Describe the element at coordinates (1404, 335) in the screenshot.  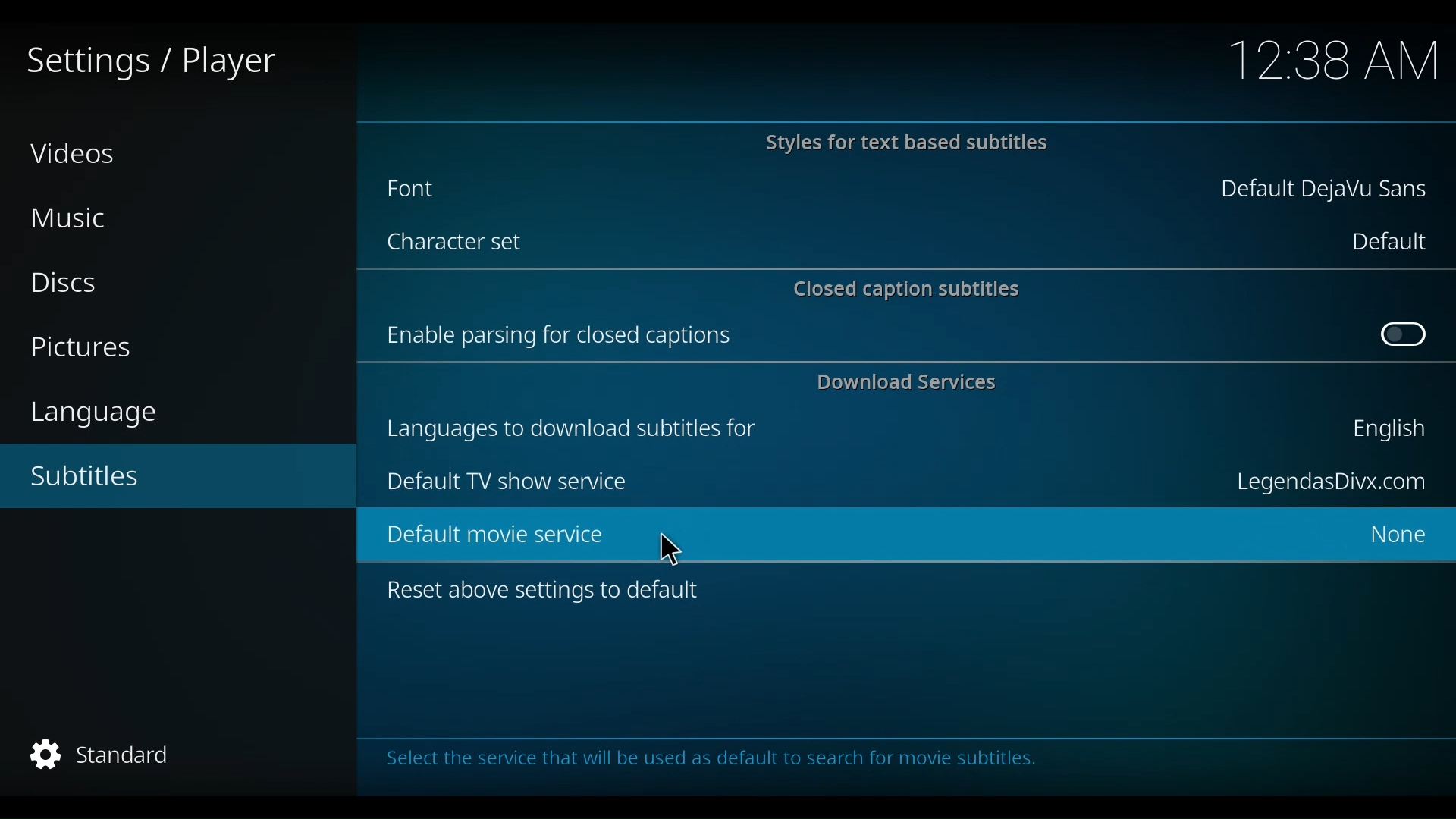
I see `Toggle on/off` at that location.